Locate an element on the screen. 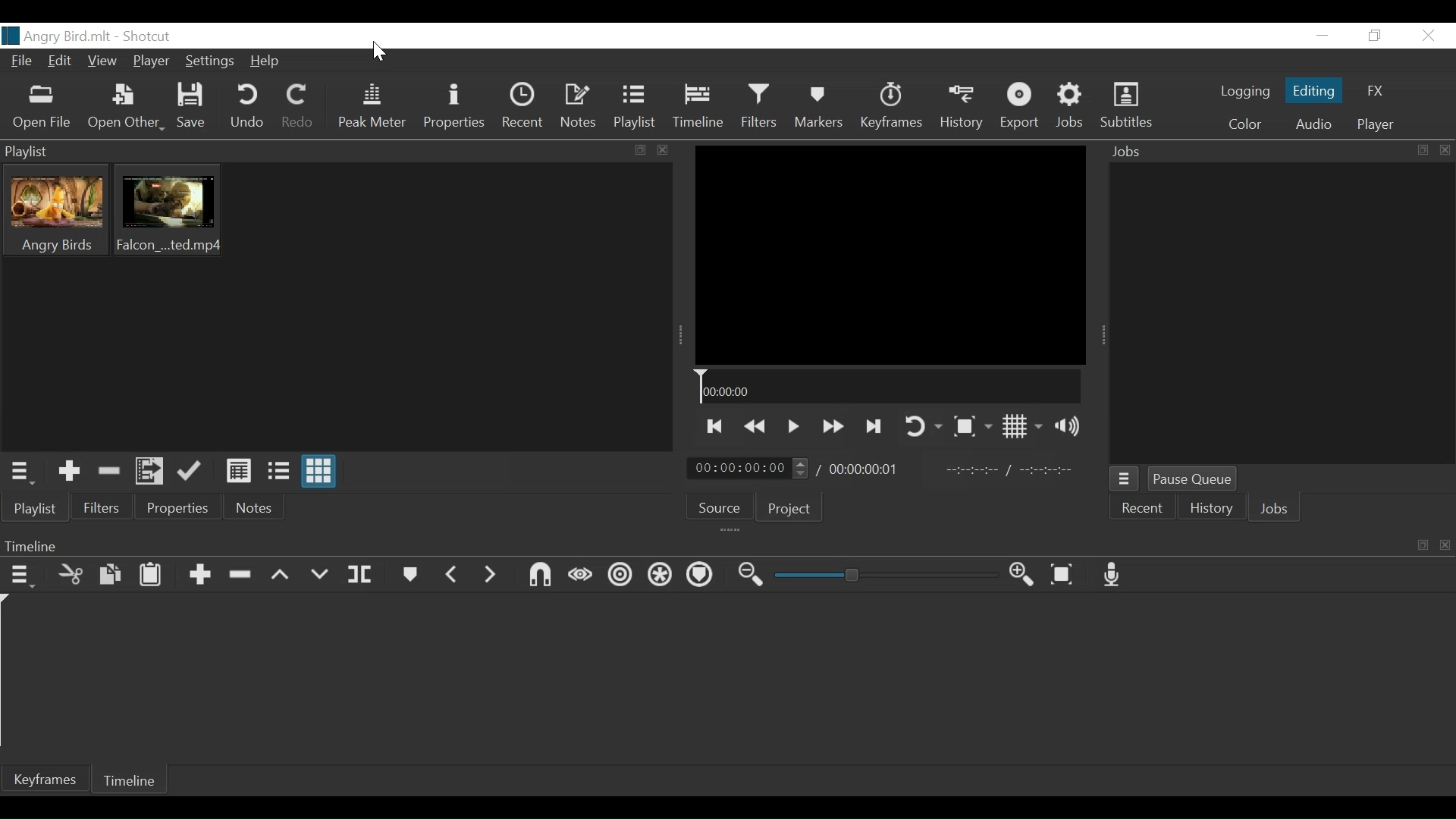 The image size is (1456, 819). Jobs is located at coordinates (1279, 153).